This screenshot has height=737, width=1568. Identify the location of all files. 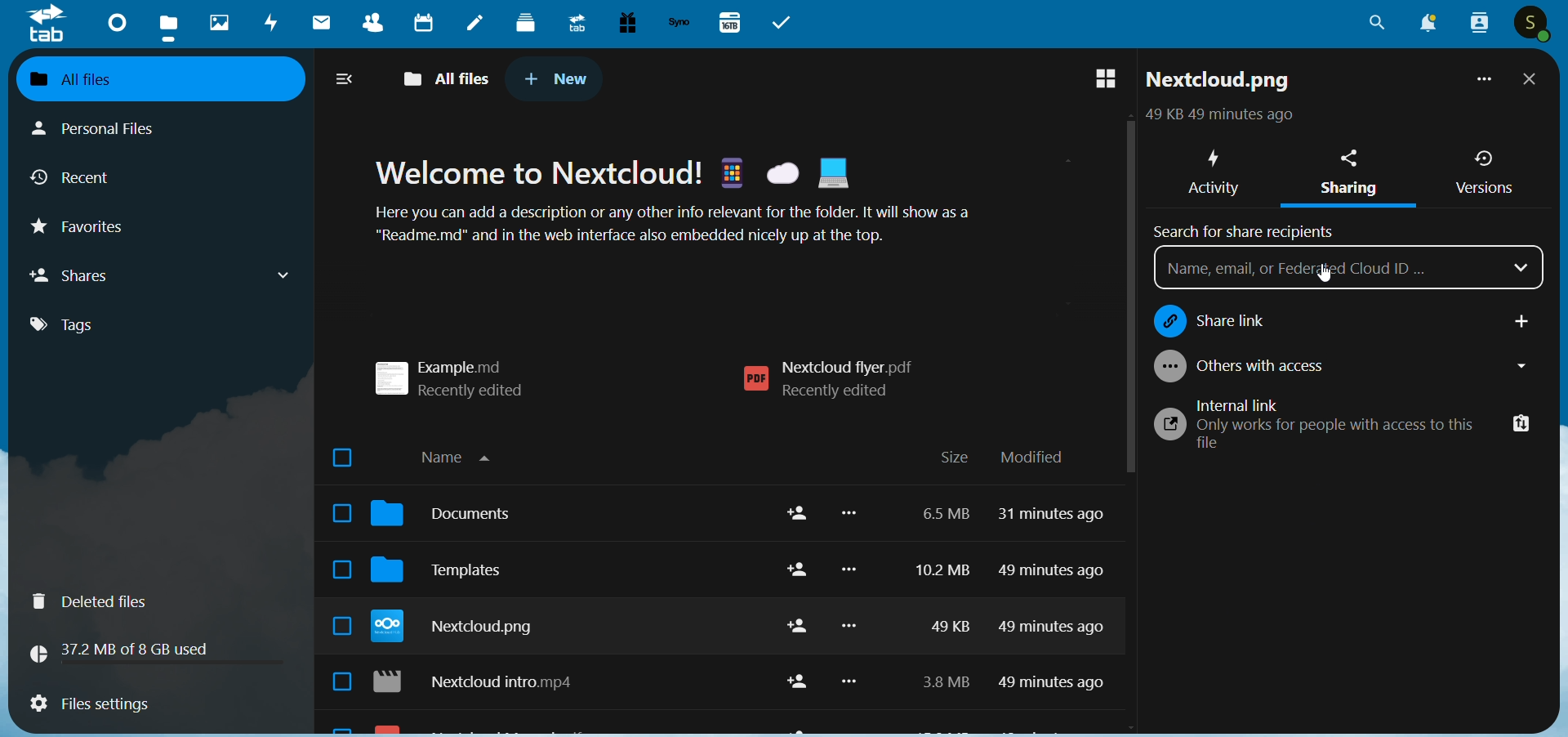
(450, 76).